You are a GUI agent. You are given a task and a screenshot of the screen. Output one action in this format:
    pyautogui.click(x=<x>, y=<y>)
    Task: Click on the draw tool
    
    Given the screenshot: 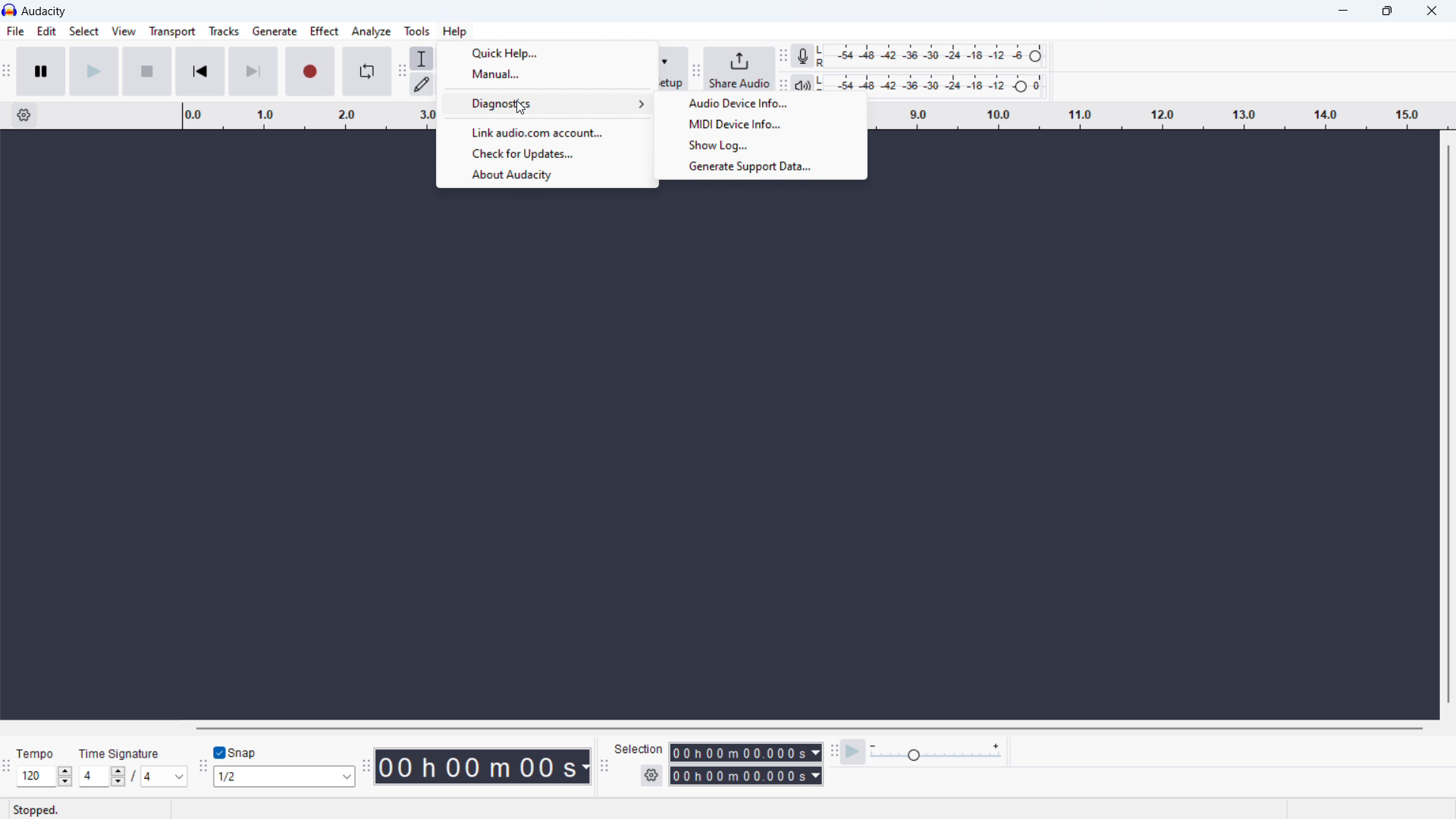 What is the action you would take?
    pyautogui.click(x=422, y=84)
    